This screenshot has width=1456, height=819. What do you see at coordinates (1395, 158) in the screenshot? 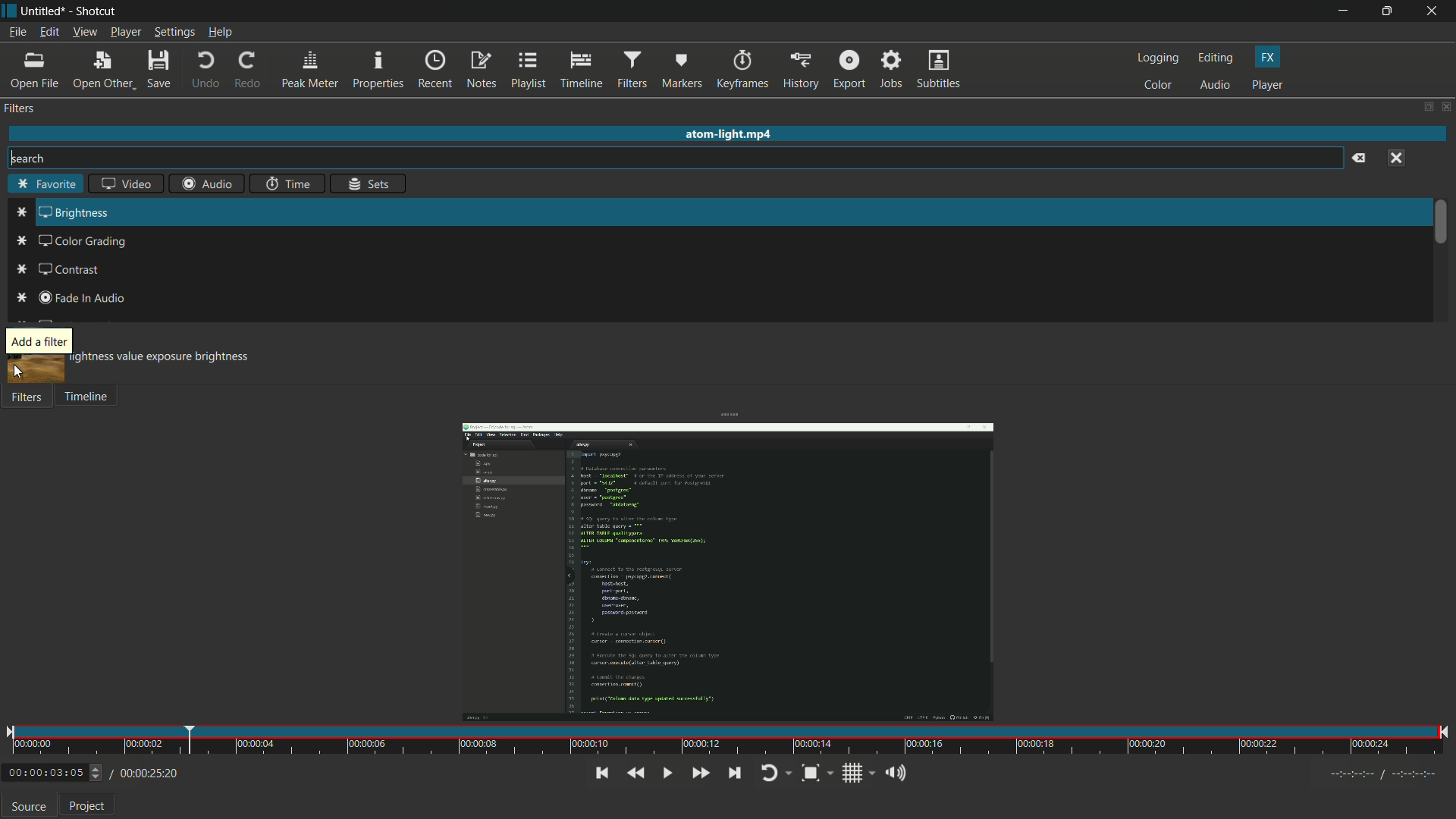
I see `close menu` at bounding box center [1395, 158].